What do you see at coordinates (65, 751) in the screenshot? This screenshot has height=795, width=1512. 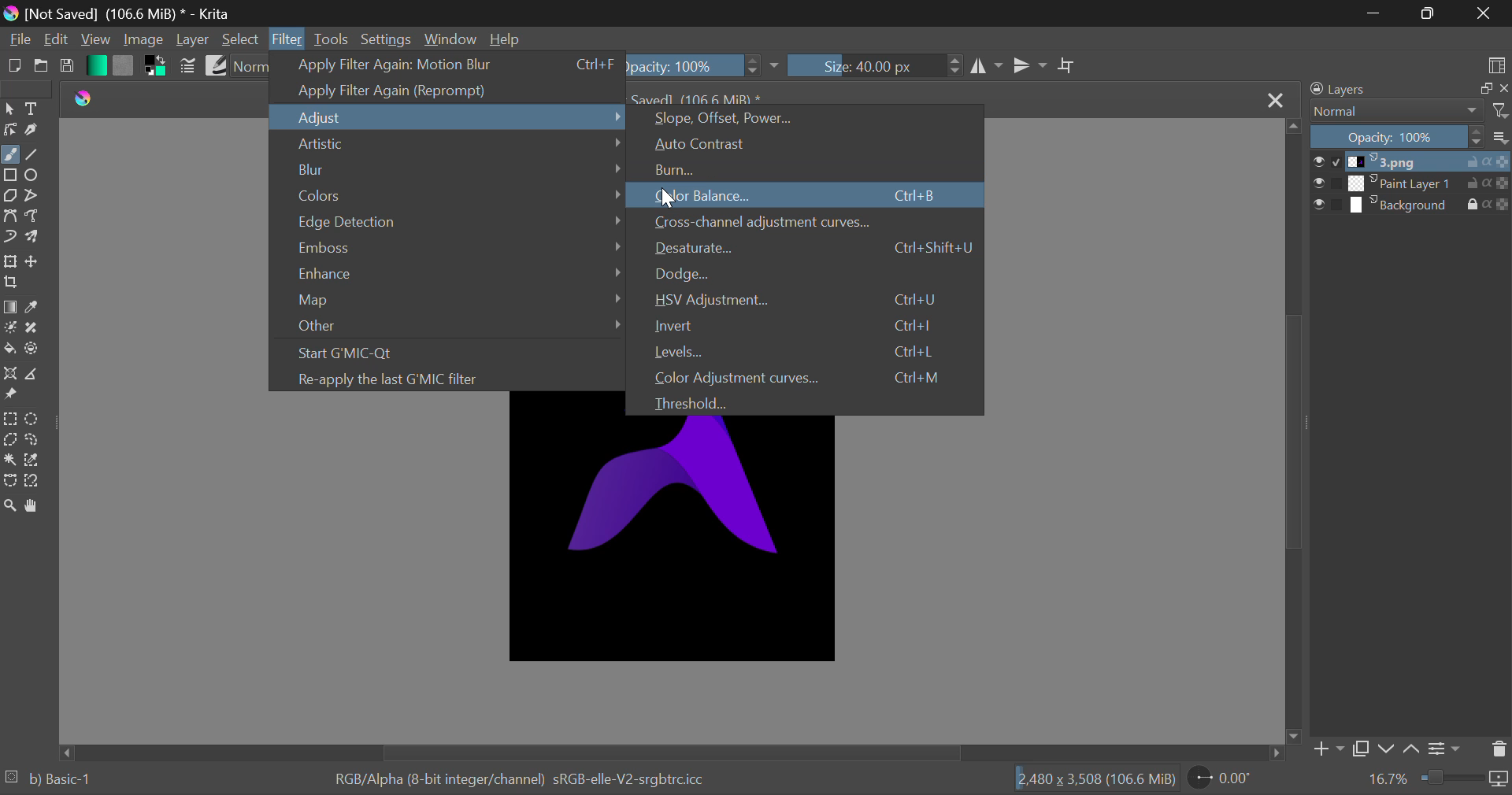 I see `move left` at bounding box center [65, 751].